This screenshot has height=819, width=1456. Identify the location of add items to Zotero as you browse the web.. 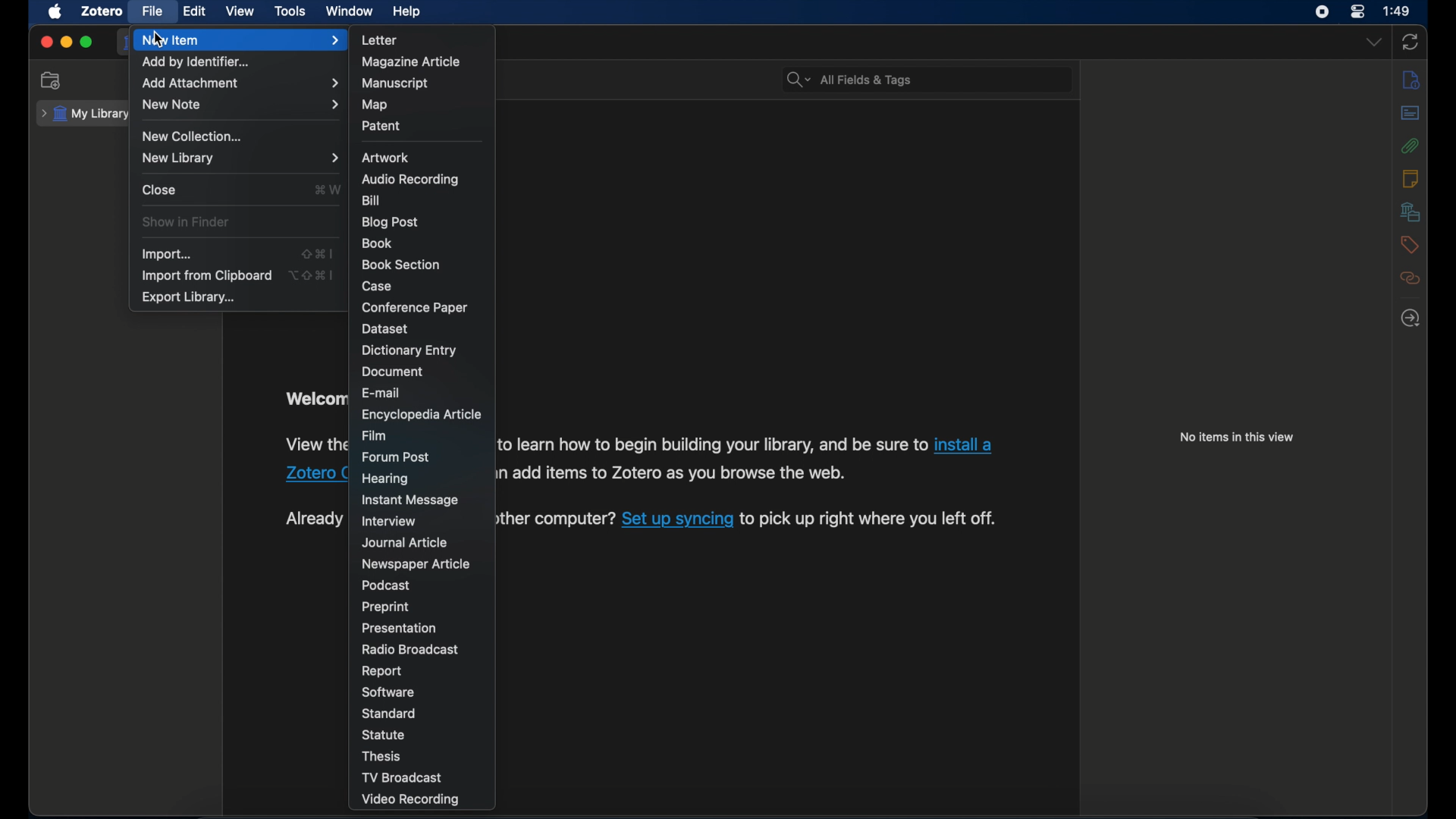
(681, 472).